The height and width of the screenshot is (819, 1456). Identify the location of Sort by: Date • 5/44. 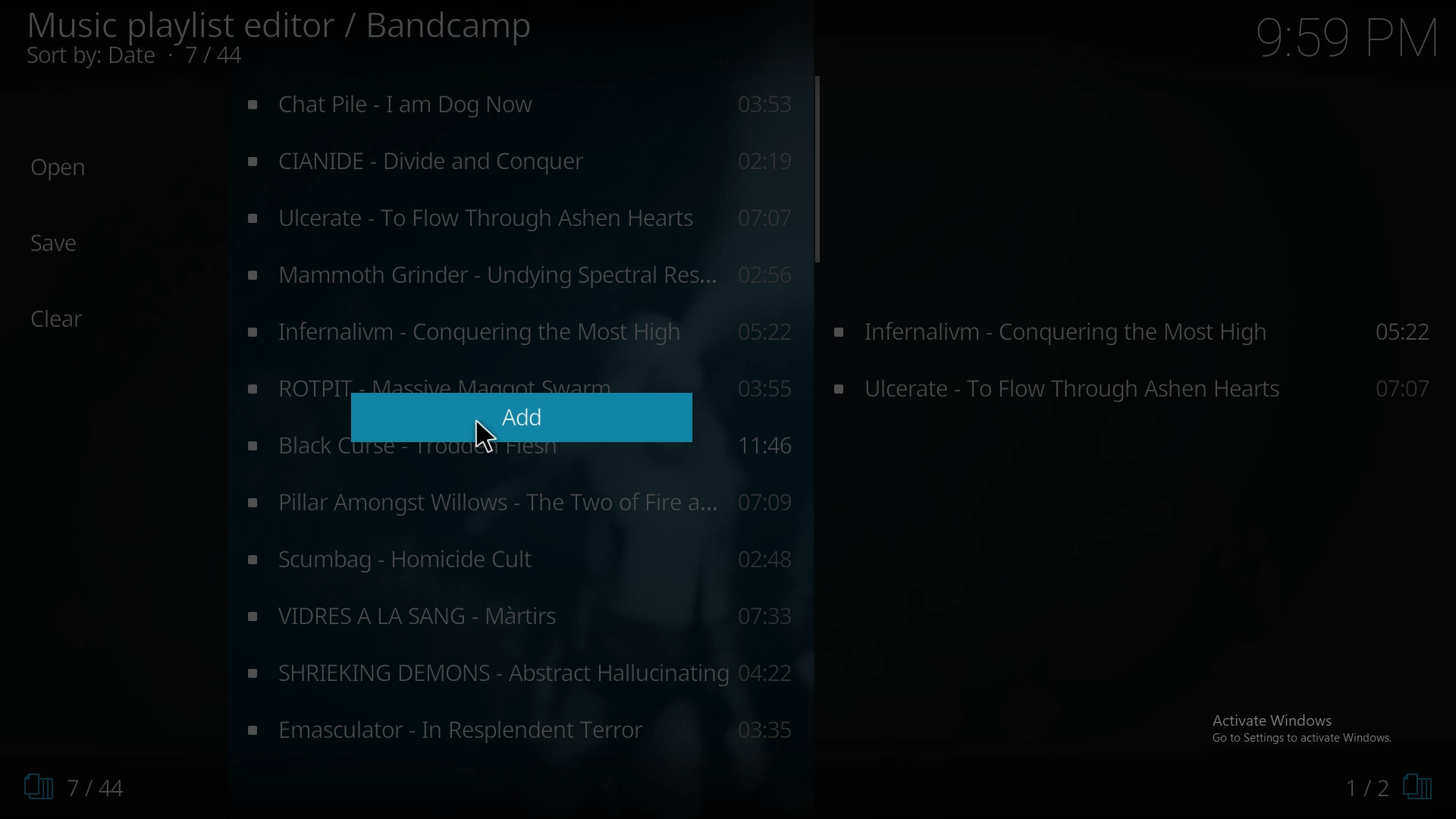
(161, 58).